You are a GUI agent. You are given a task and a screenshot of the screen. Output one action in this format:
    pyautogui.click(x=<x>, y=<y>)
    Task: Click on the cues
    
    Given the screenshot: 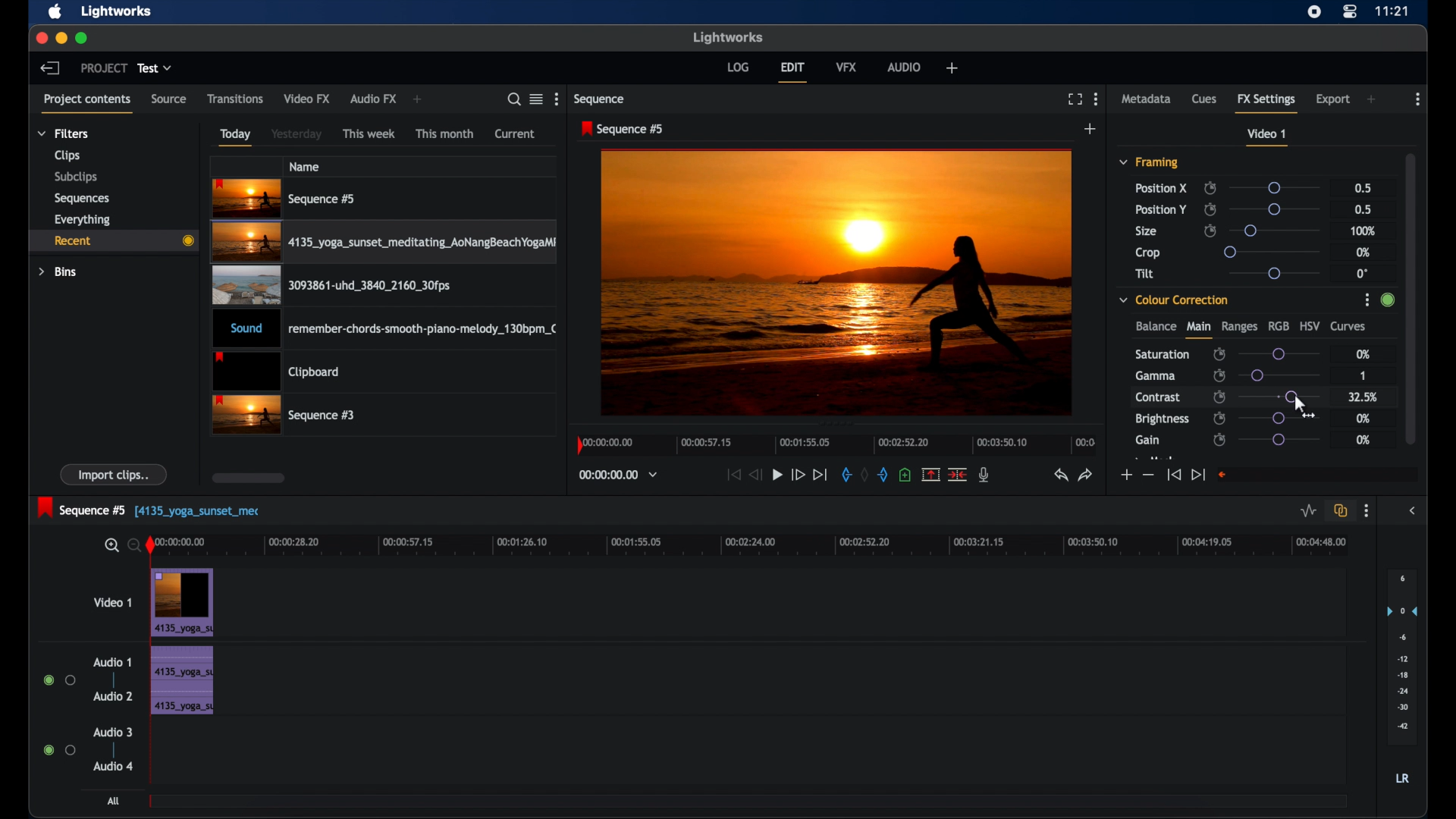 What is the action you would take?
    pyautogui.click(x=1204, y=102)
    